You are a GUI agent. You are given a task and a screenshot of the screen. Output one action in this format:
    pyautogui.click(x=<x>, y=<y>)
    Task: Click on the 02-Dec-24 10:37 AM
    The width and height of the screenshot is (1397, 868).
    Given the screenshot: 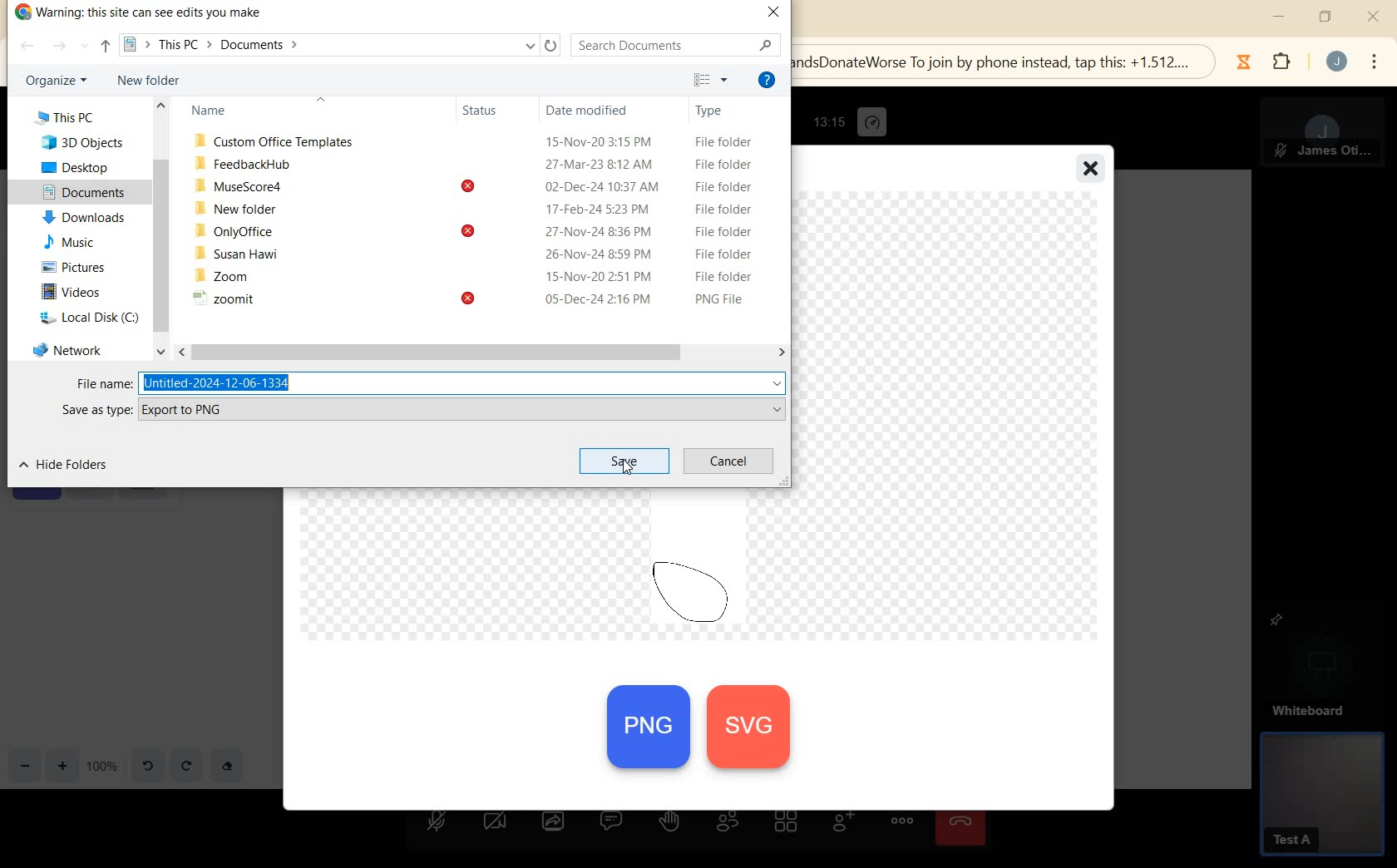 What is the action you would take?
    pyautogui.click(x=600, y=185)
    